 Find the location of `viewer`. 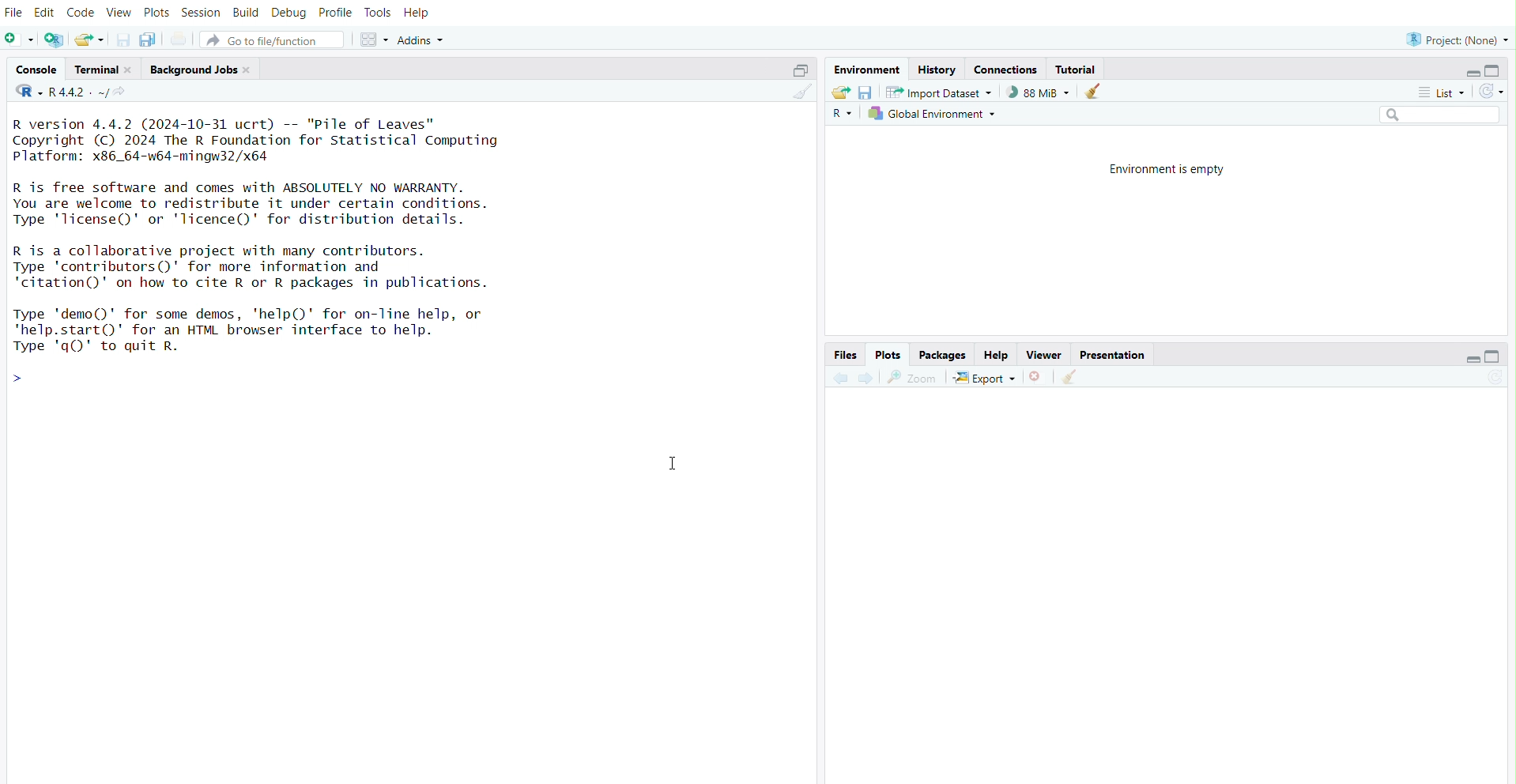

viewer is located at coordinates (1046, 355).